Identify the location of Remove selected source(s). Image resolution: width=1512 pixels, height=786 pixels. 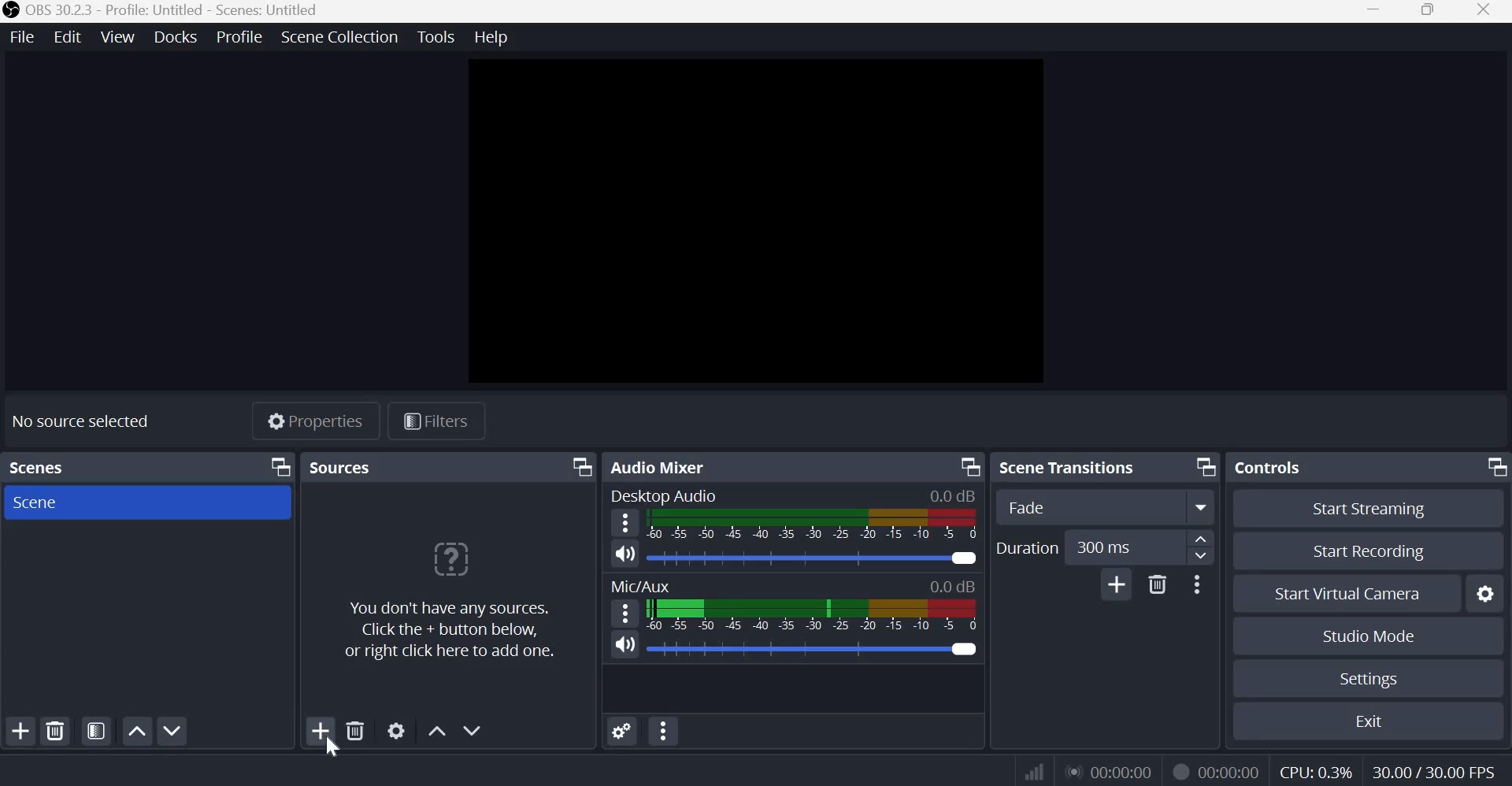
(356, 730).